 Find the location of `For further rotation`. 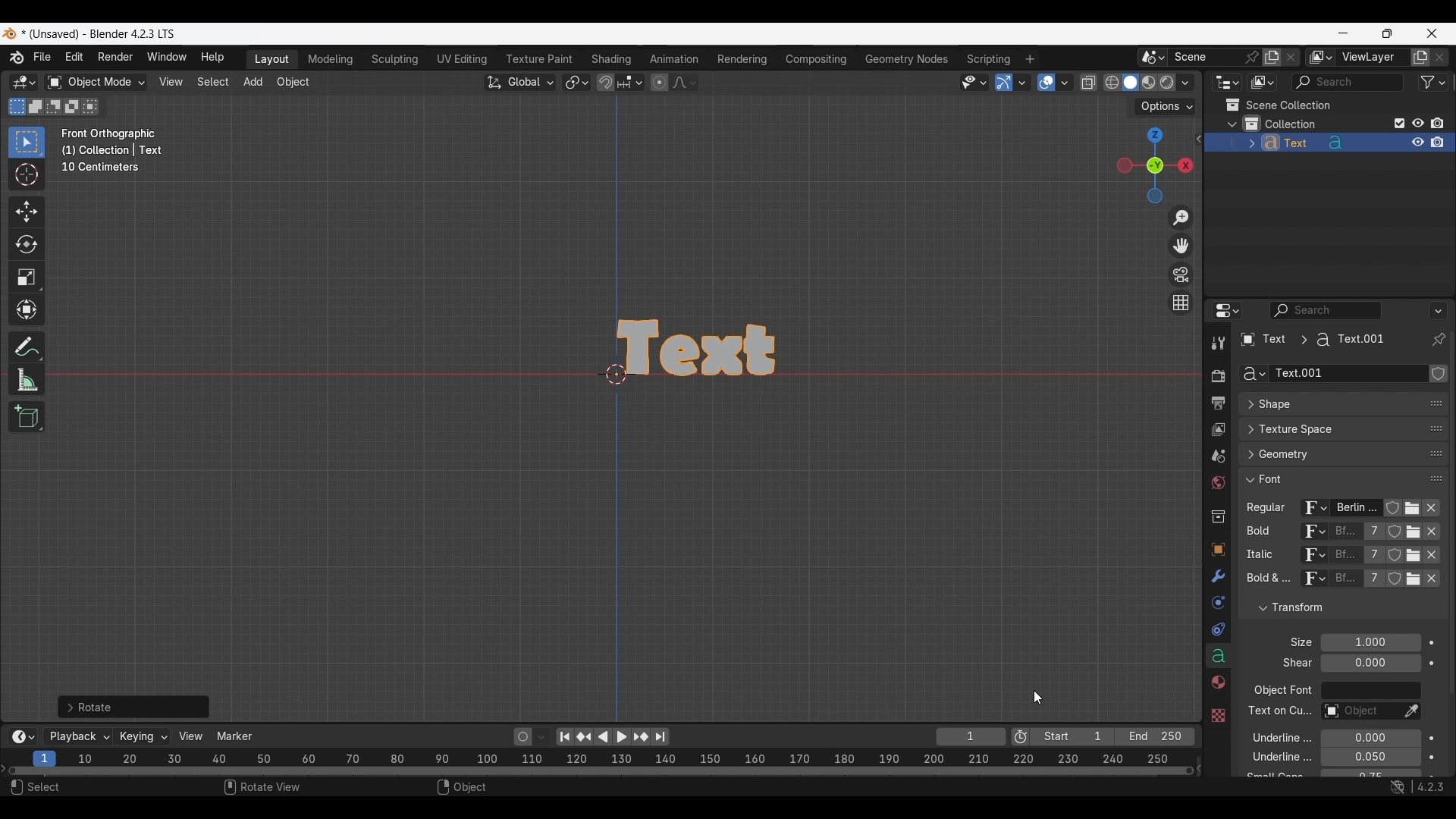

For further rotation is located at coordinates (133, 707).